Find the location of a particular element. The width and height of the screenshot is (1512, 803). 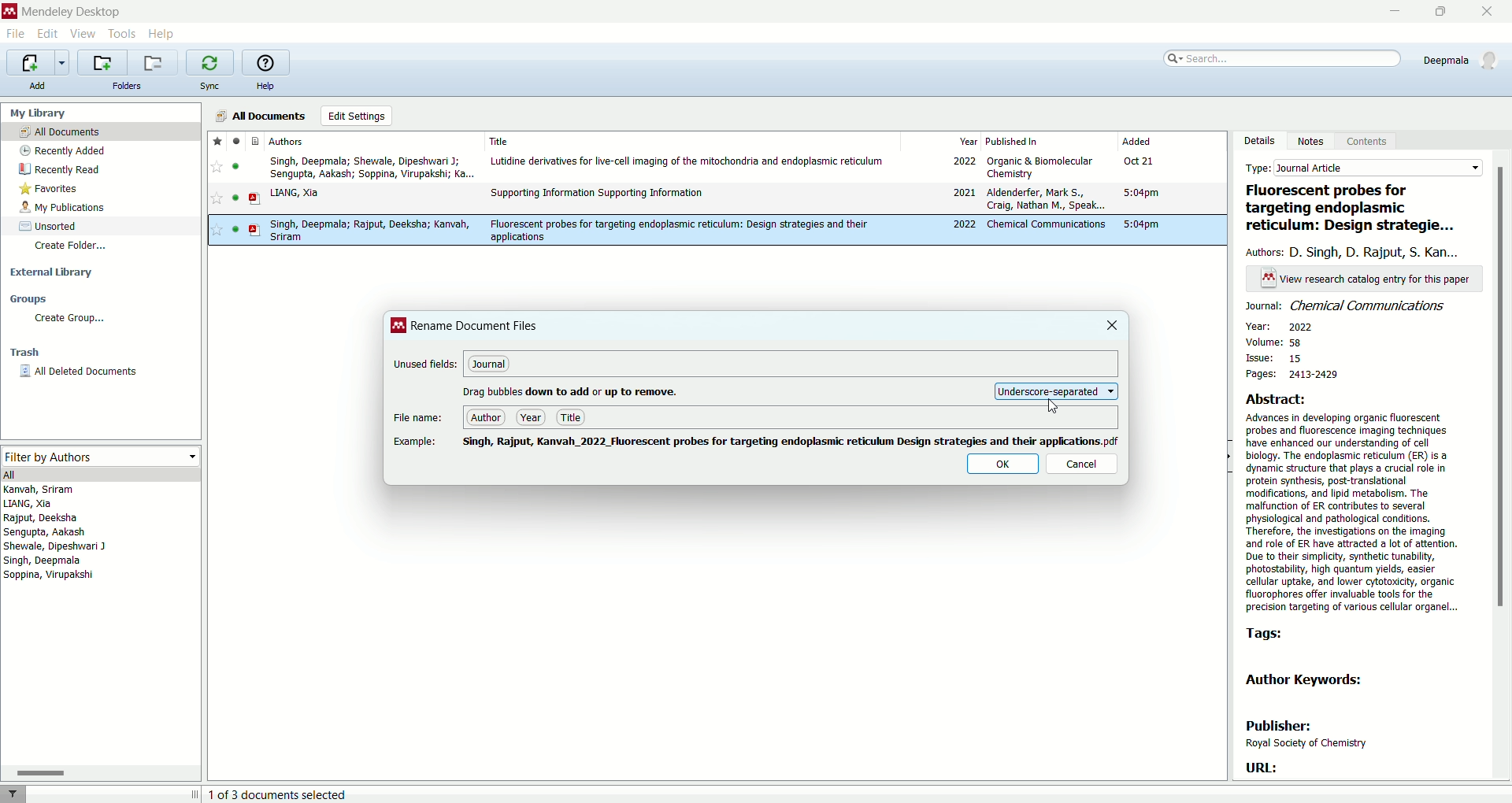

Singh, Deepmala; Shewale, Dipeshwari J;
Sengupta, Aakash; Soppina, Virupakshi; Ka... is located at coordinates (369, 167).